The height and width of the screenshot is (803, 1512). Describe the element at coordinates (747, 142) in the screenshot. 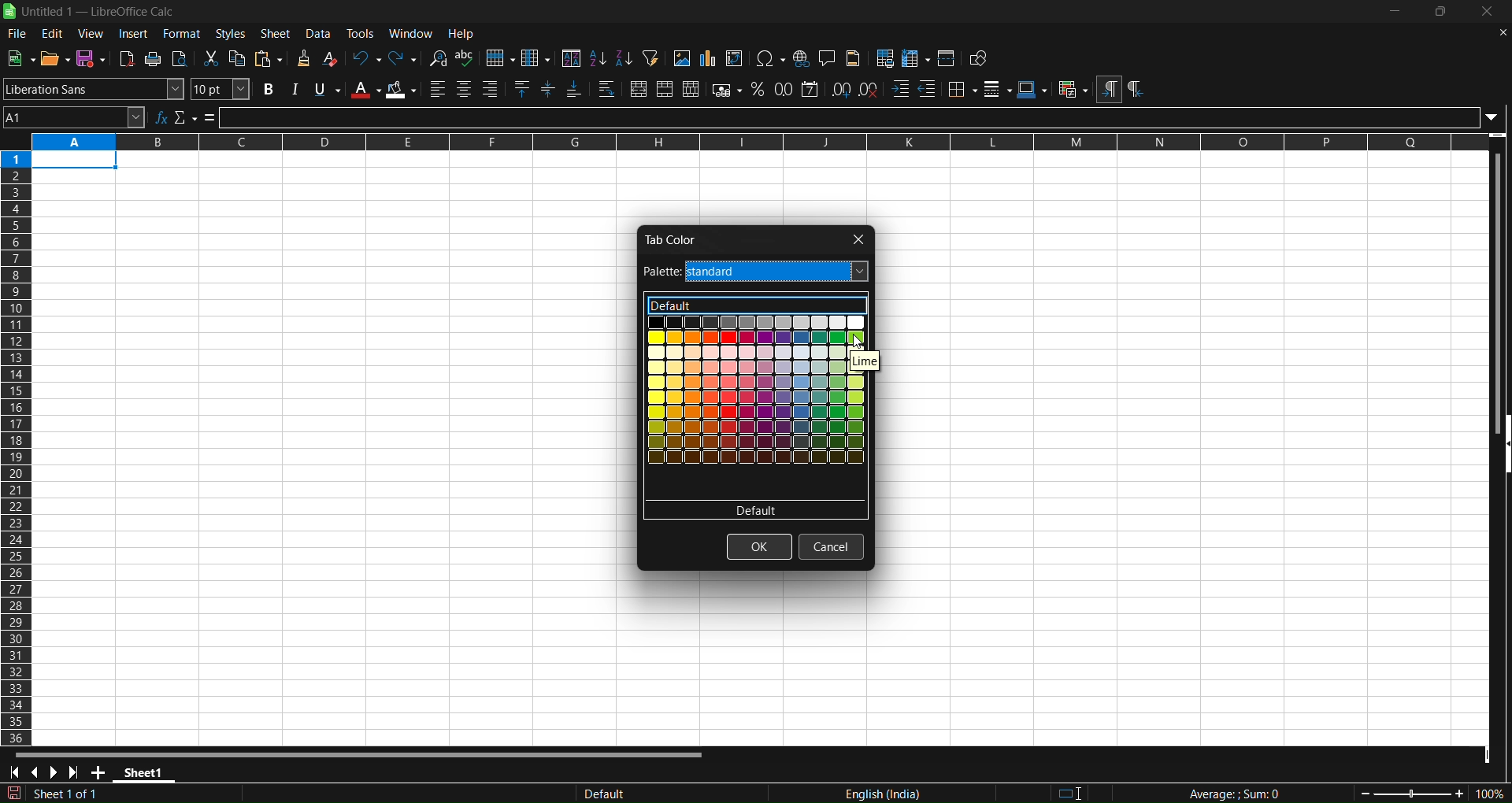

I see `rows` at that location.